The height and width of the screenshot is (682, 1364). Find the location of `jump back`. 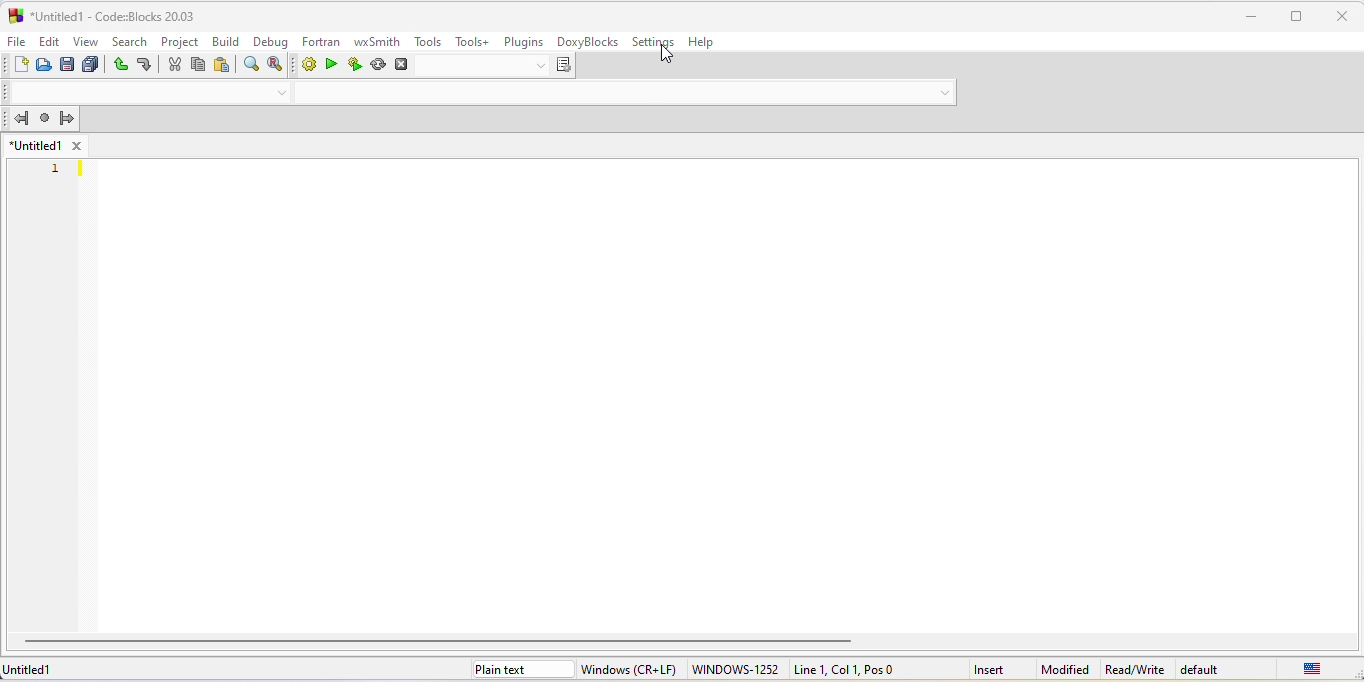

jump back is located at coordinates (20, 118).